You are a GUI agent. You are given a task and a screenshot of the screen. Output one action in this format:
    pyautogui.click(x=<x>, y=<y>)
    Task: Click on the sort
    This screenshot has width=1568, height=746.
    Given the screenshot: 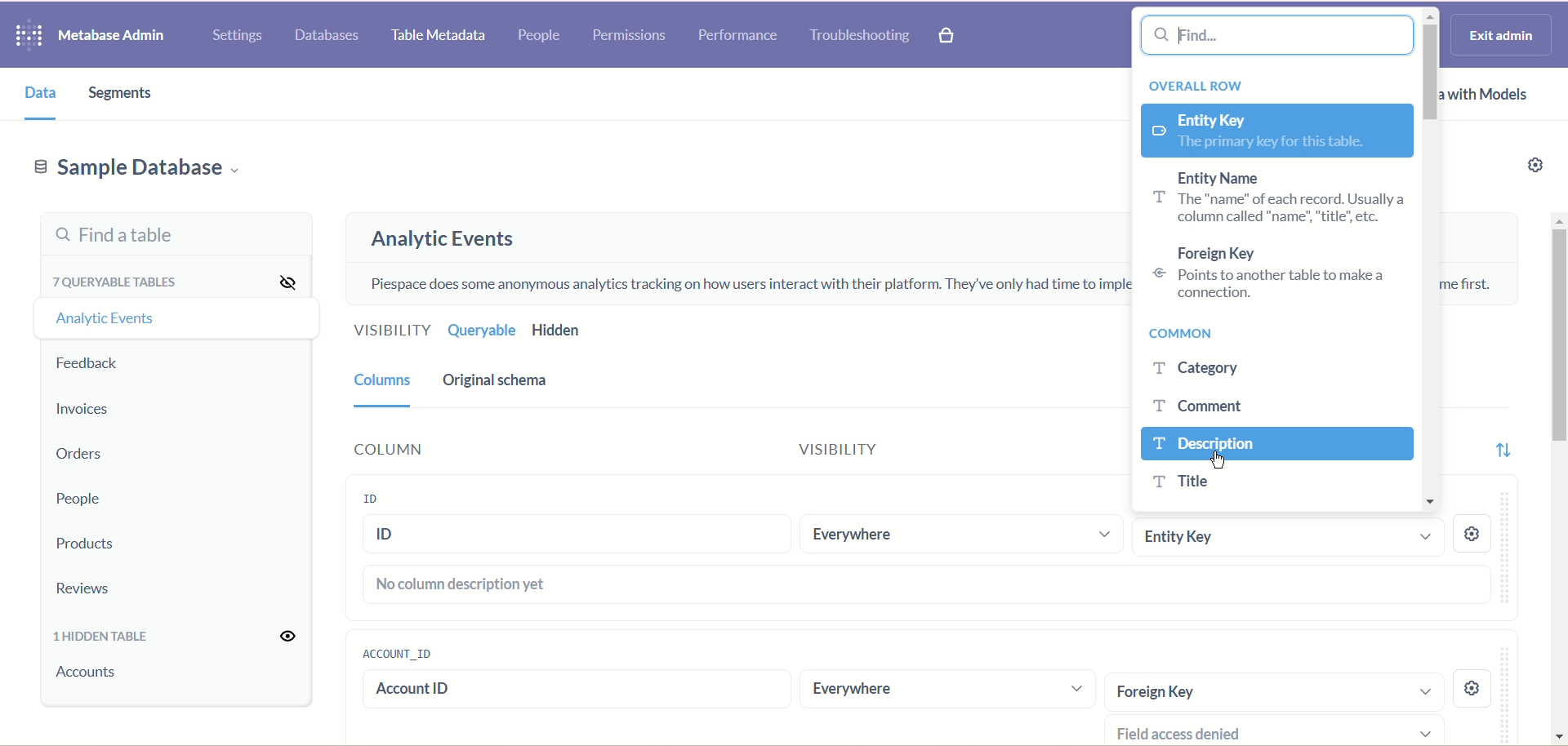 What is the action you would take?
    pyautogui.click(x=1505, y=449)
    